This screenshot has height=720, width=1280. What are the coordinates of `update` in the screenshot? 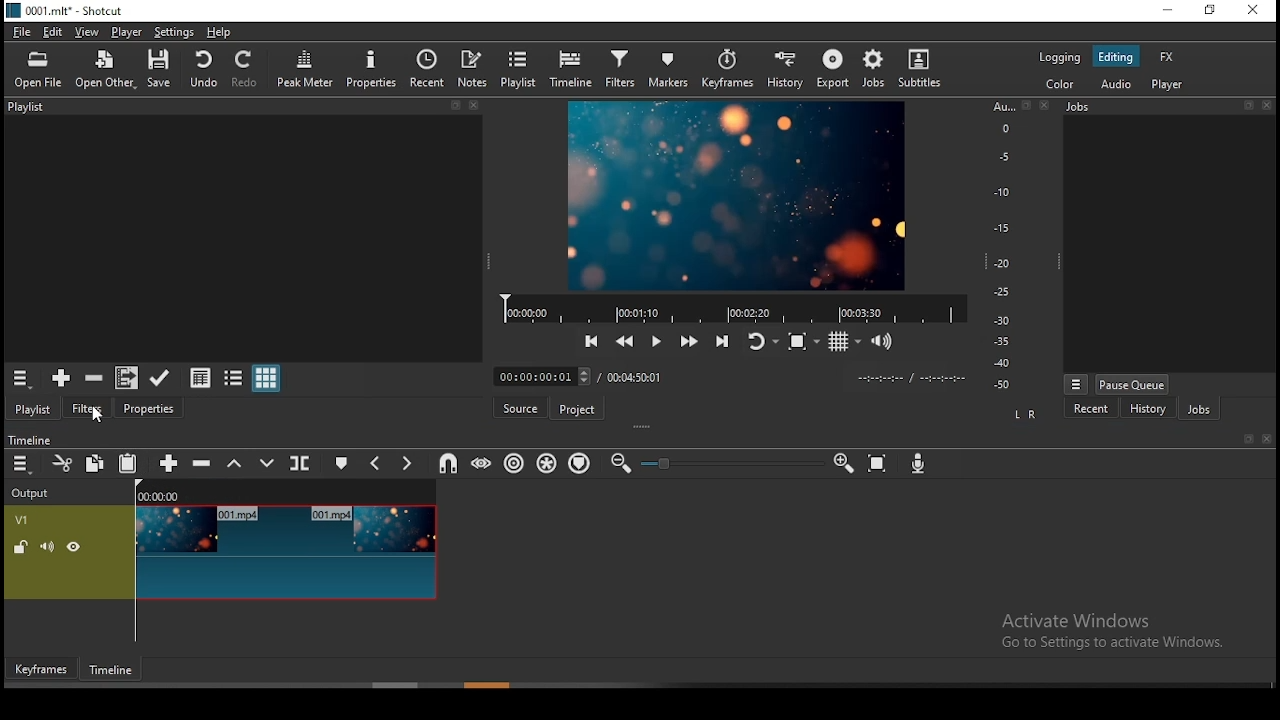 It's located at (161, 378).